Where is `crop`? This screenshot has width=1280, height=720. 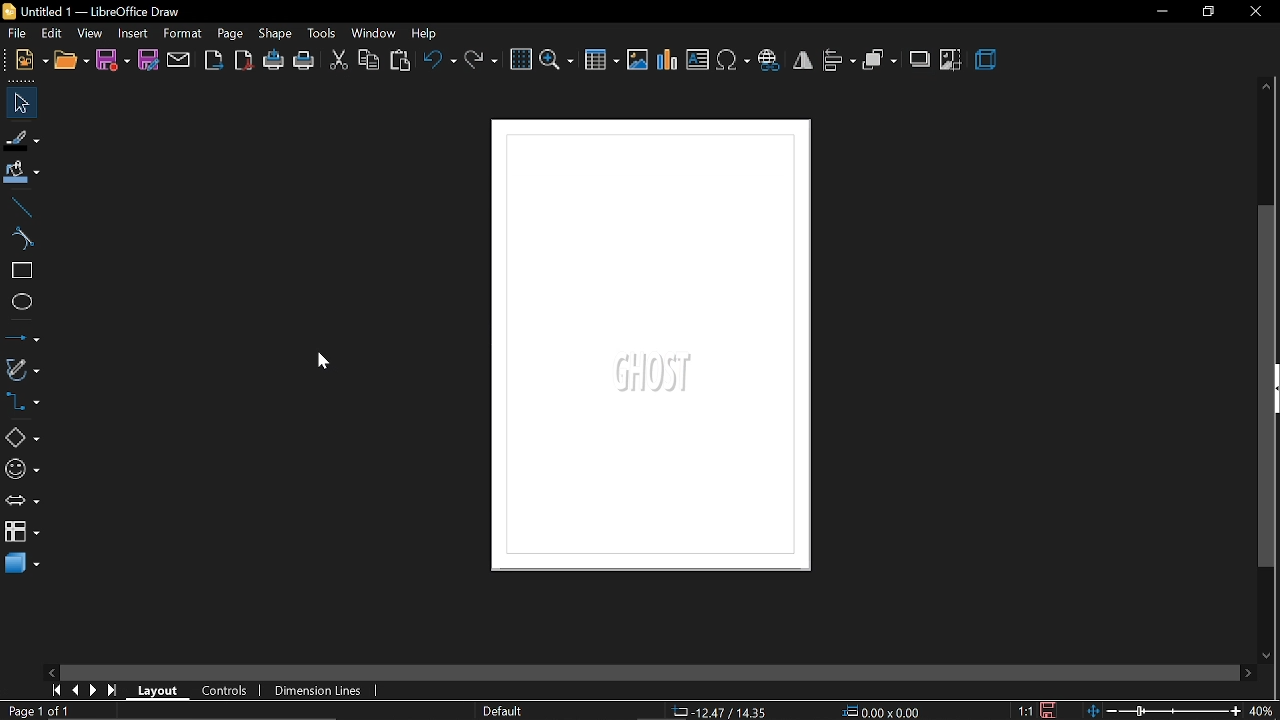
crop is located at coordinates (950, 61).